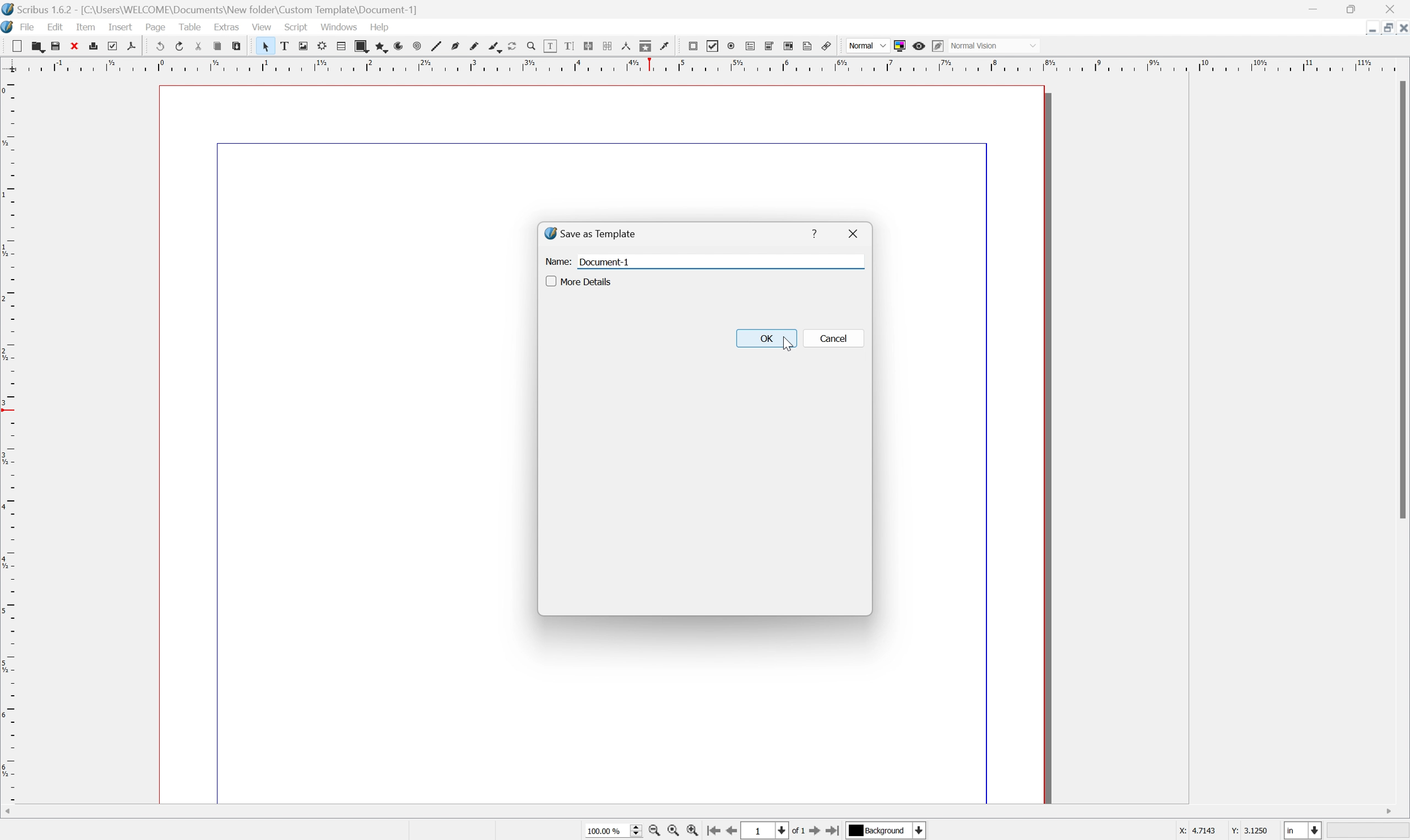 This screenshot has height=840, width=1410. I want to click on table, so click(341, 44).